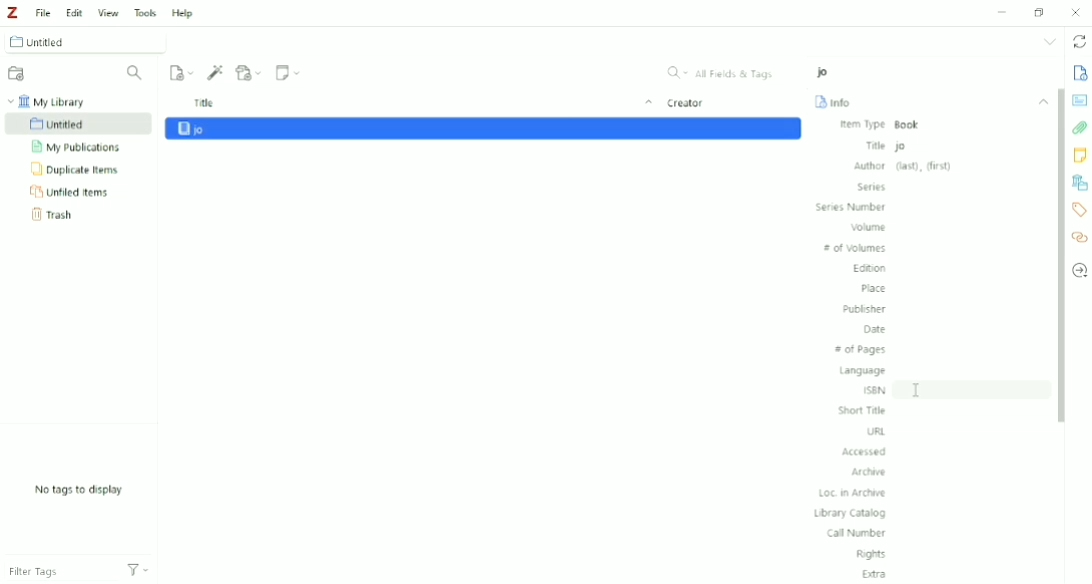 Image resolution: width=1092 pixels, height=584 pixels. I want to click on Collapse section, so click(1040, 99).